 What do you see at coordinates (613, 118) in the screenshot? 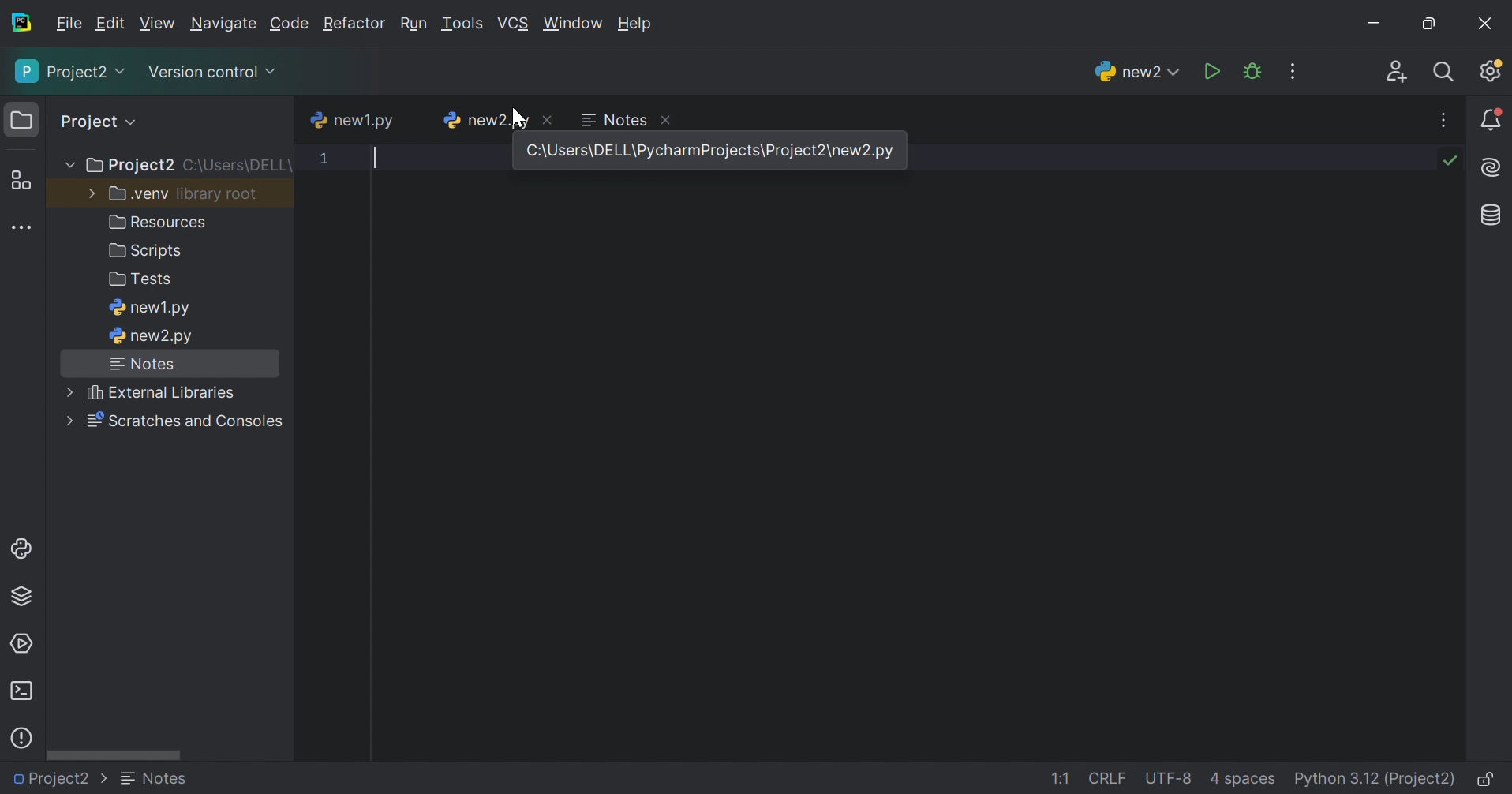
I see `Notes` at bounding box center [613, 118].